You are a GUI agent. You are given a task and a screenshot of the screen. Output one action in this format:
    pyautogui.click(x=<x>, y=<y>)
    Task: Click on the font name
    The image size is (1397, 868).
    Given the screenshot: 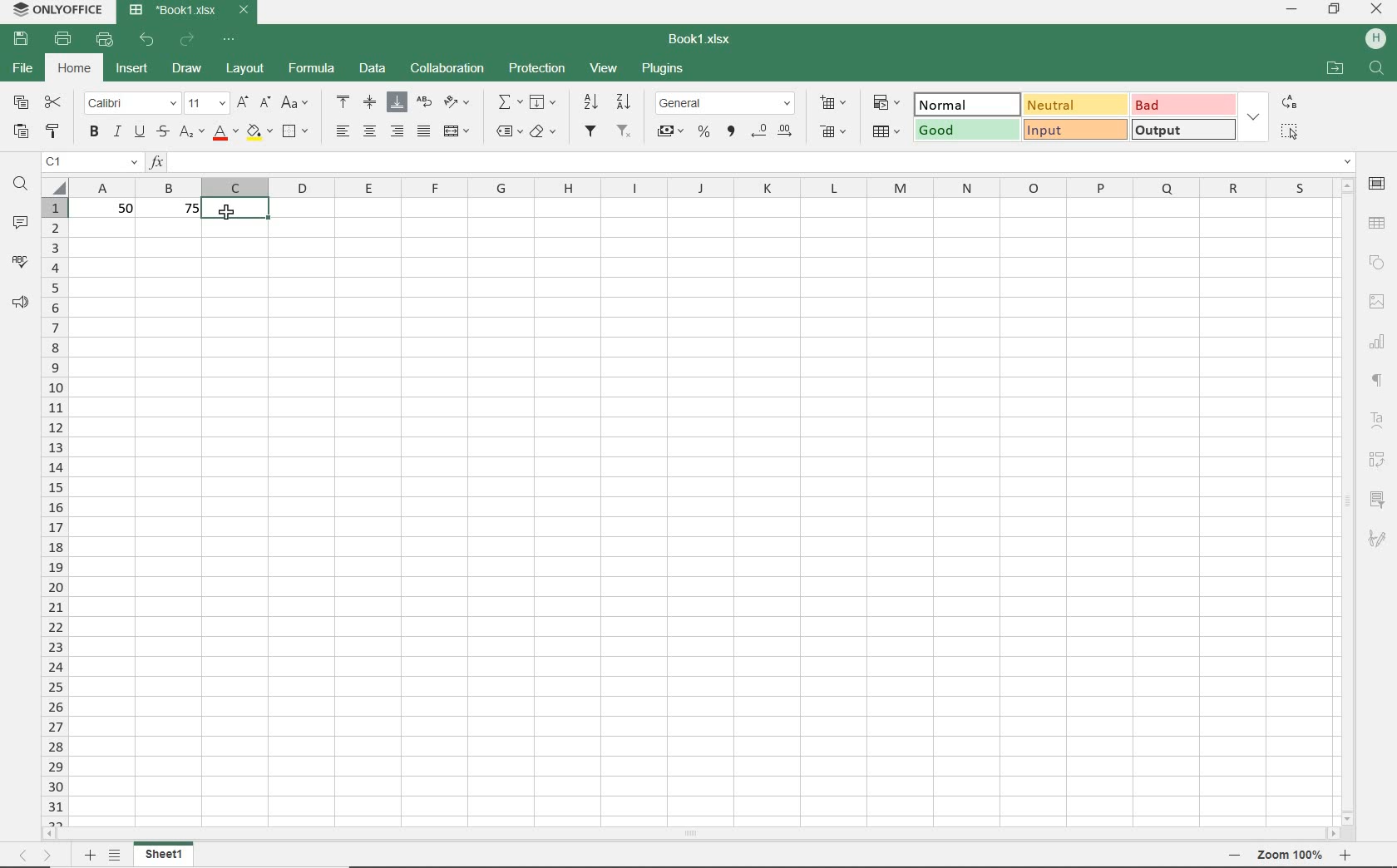 What is the action you would take?
    pyautogui.click(x=132, y=103)
    